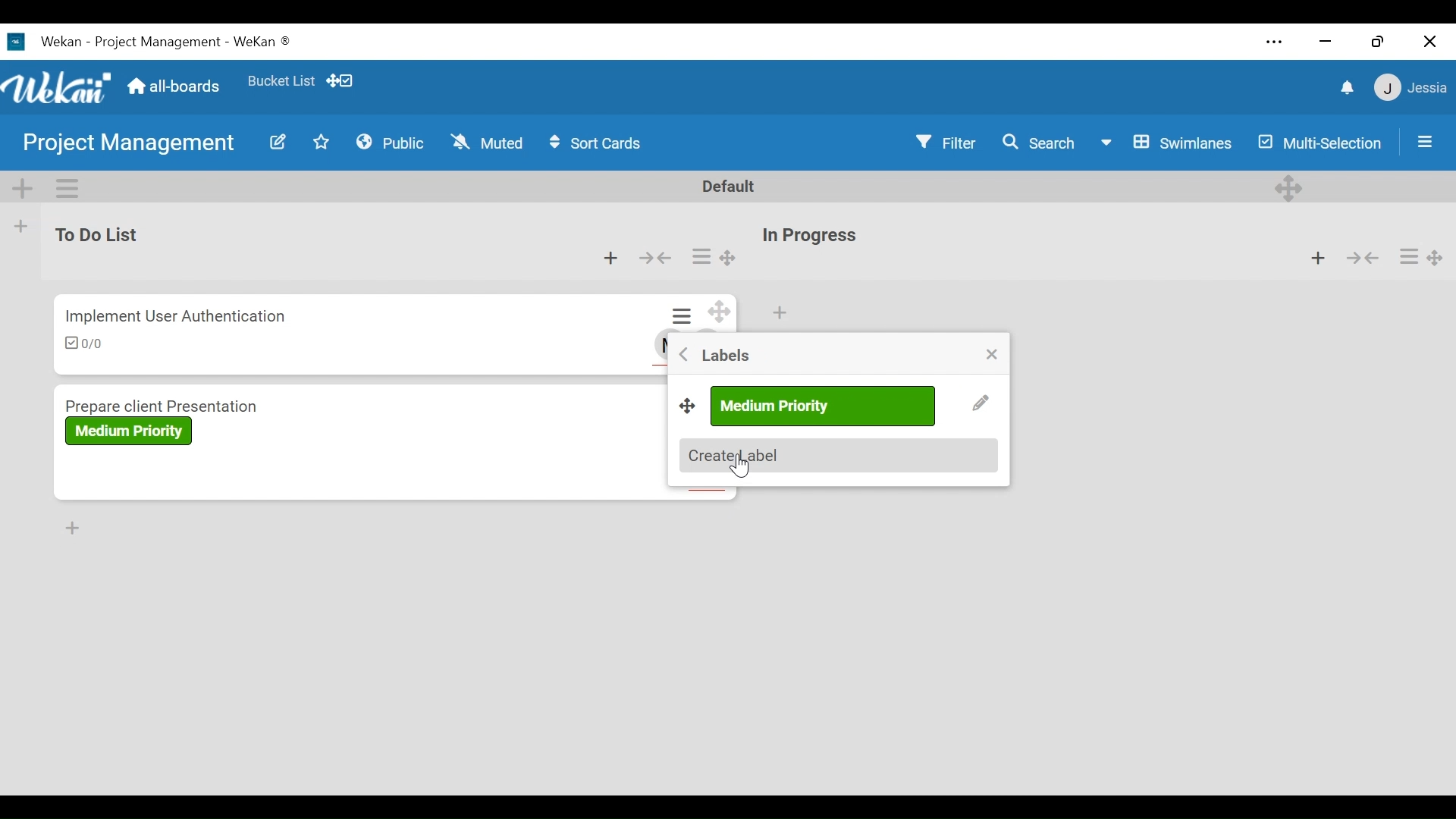  Describe the element at coordinates (700, 257) in the screenshot. I see `Card actions` at that location.